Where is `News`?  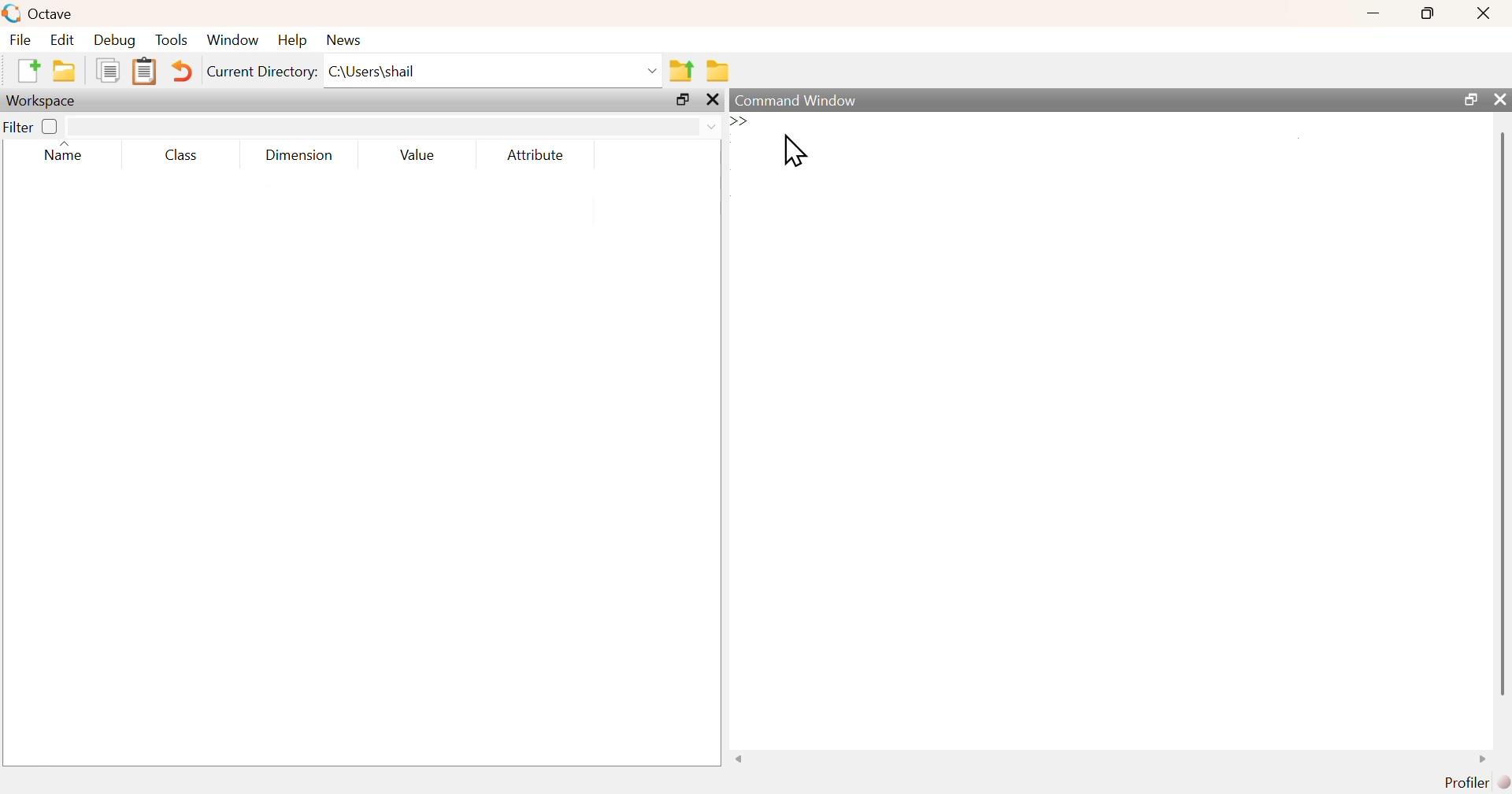
News is located at coordinates (343, 39).